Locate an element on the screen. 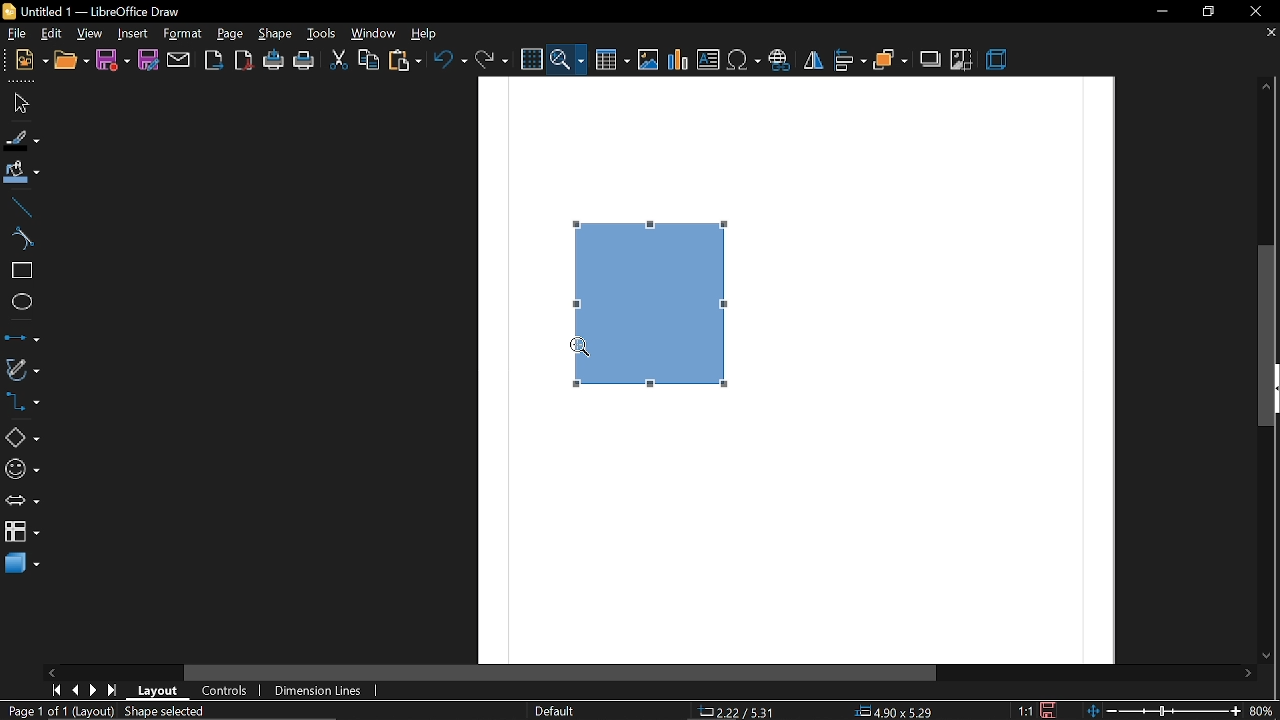  crop is located at coordinates (962, 61).